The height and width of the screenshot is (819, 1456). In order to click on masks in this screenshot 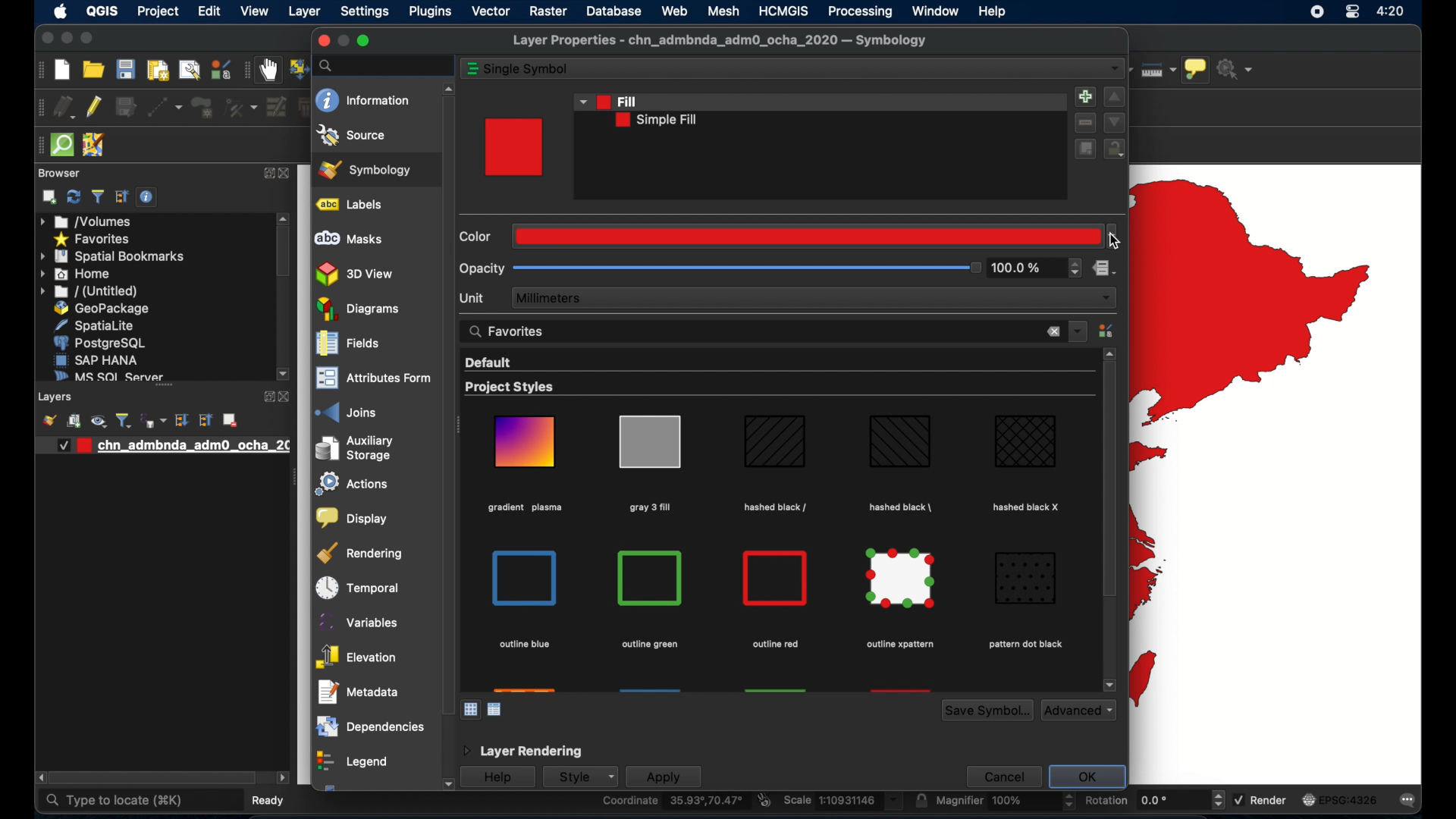, I will do `click(348, 239)`.